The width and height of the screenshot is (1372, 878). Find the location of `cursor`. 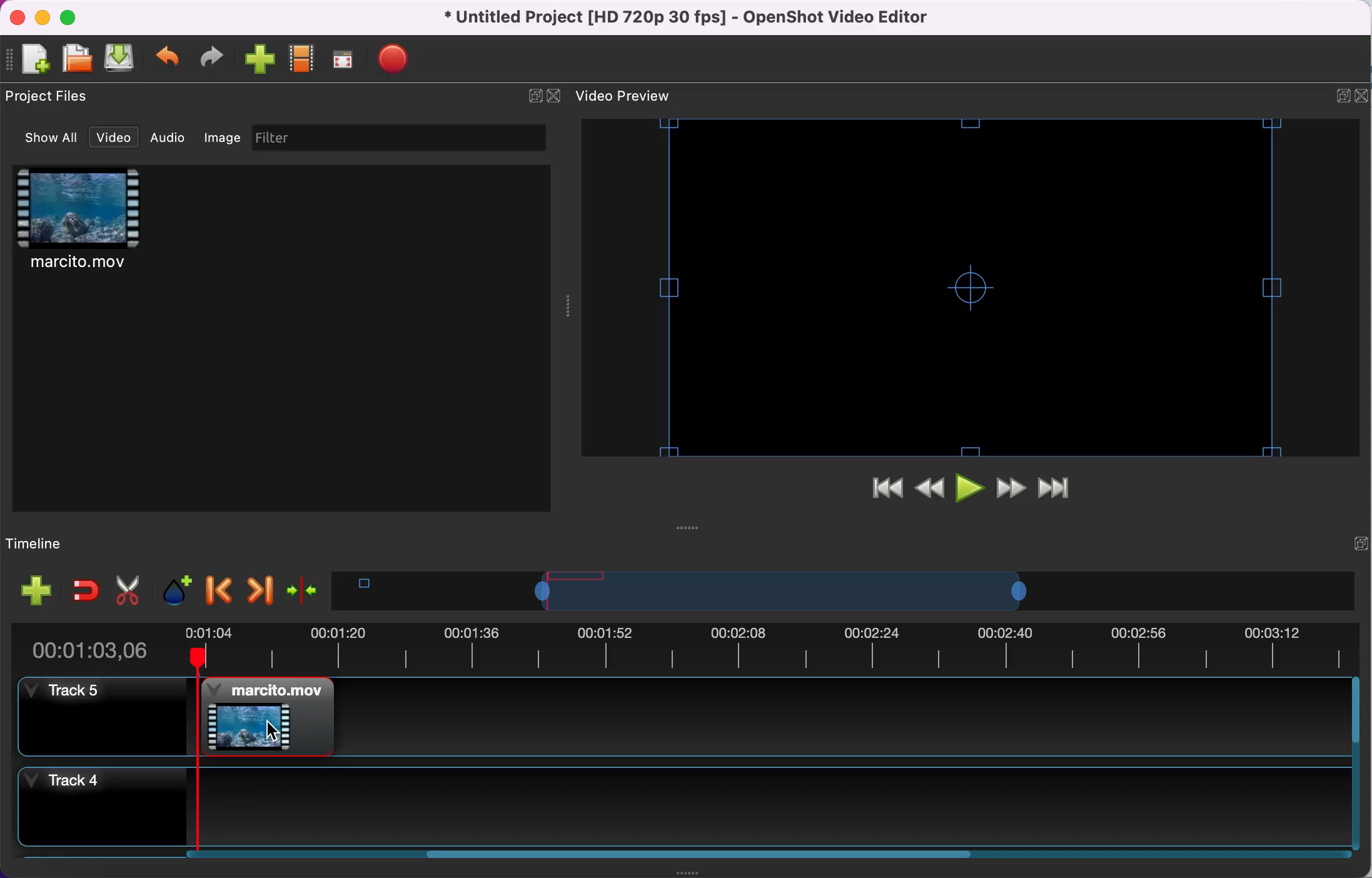

cursor is located at coordinates (273, 732).